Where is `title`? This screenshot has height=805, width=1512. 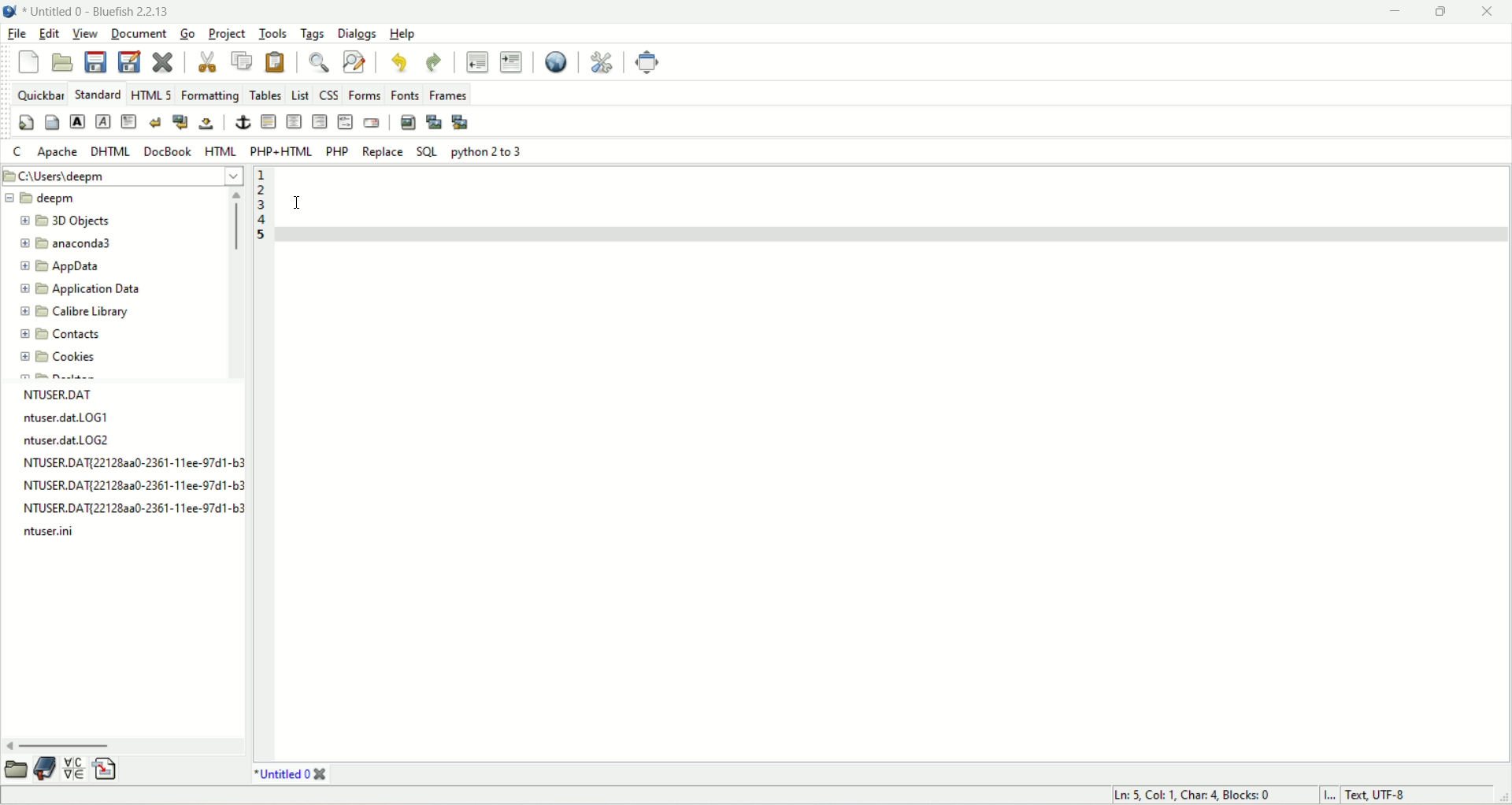
title is located at coordinates (287, 775).